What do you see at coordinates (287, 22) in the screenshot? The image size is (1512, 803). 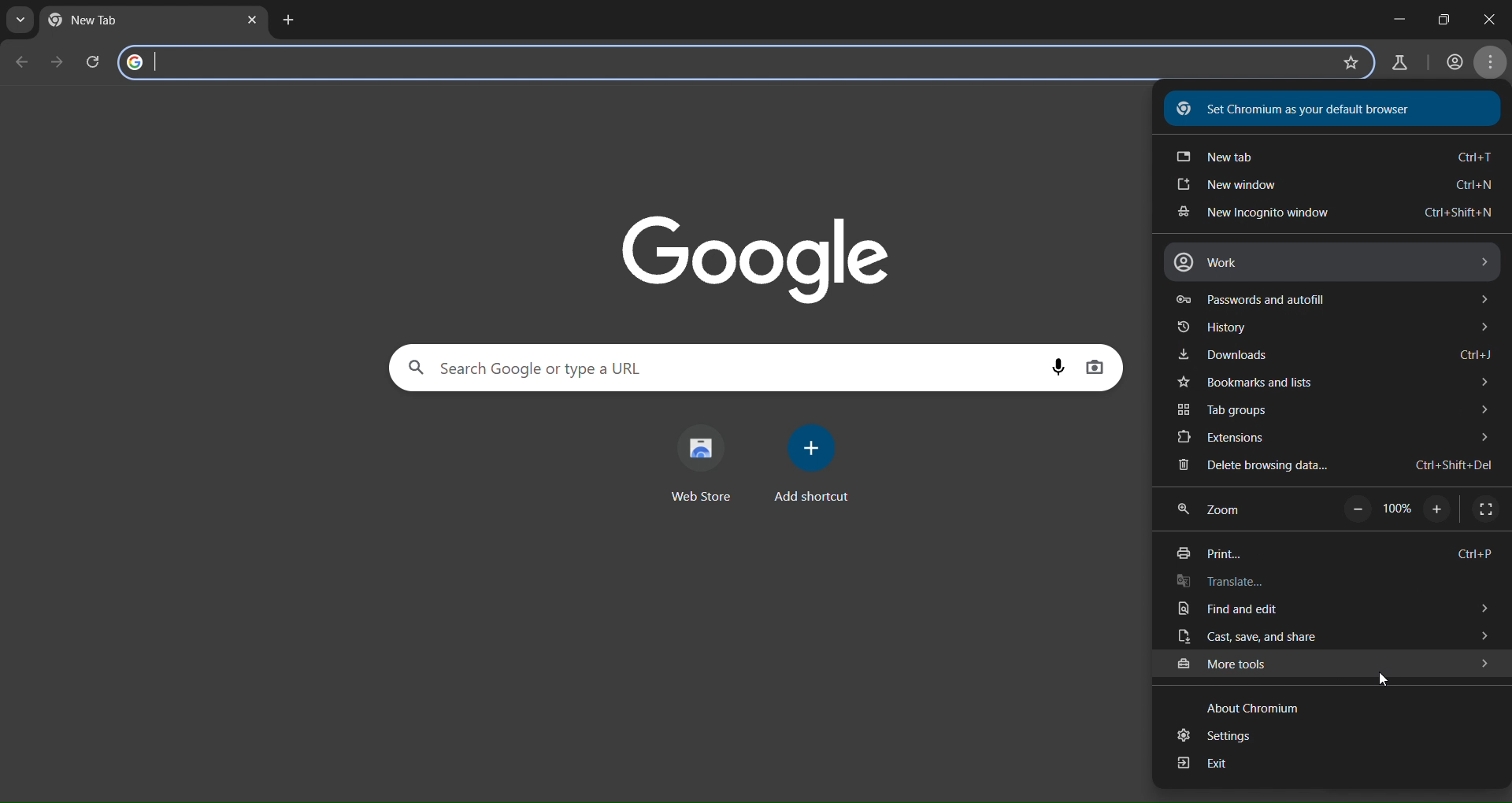 I see `new tab` at bounding box center [287, 22].